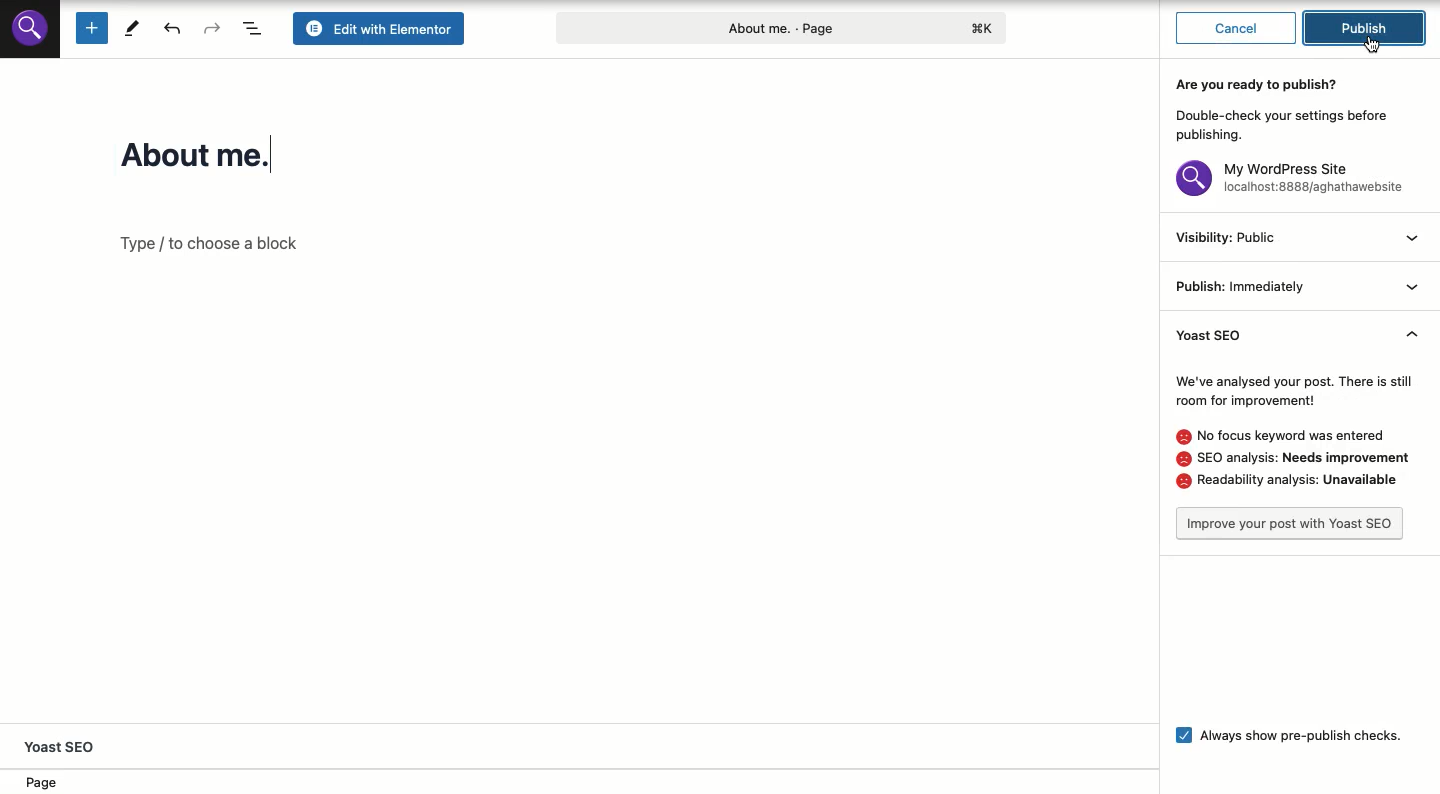  Describe the element at coordinates (382, 28) in the screenshot. I see `Edit with Elementor` at that location.